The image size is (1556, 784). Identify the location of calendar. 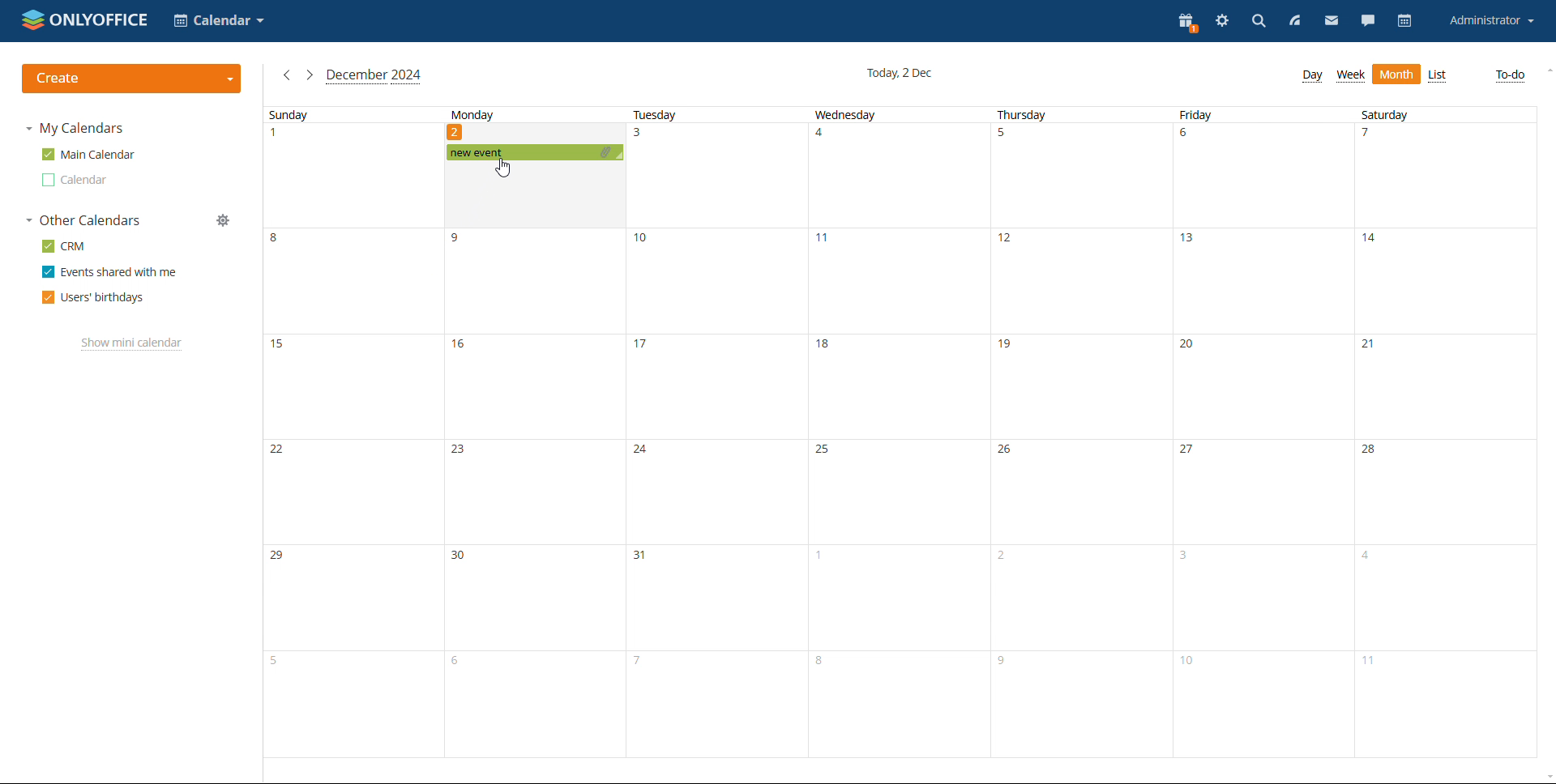
(1405, 22).